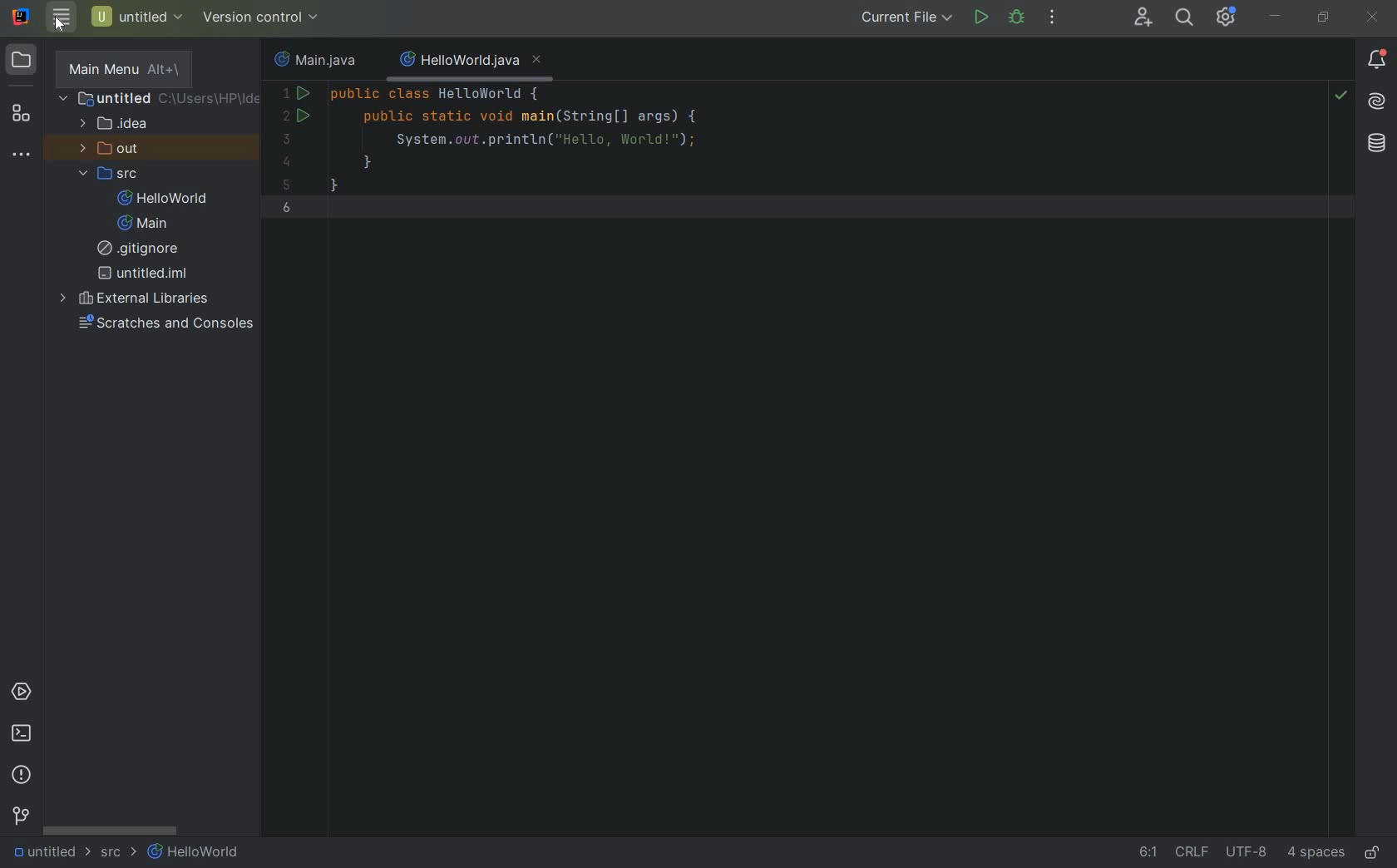 The height and width of the screenshot is (868, 1397). I want to click on notifications, so click(1376, 60).